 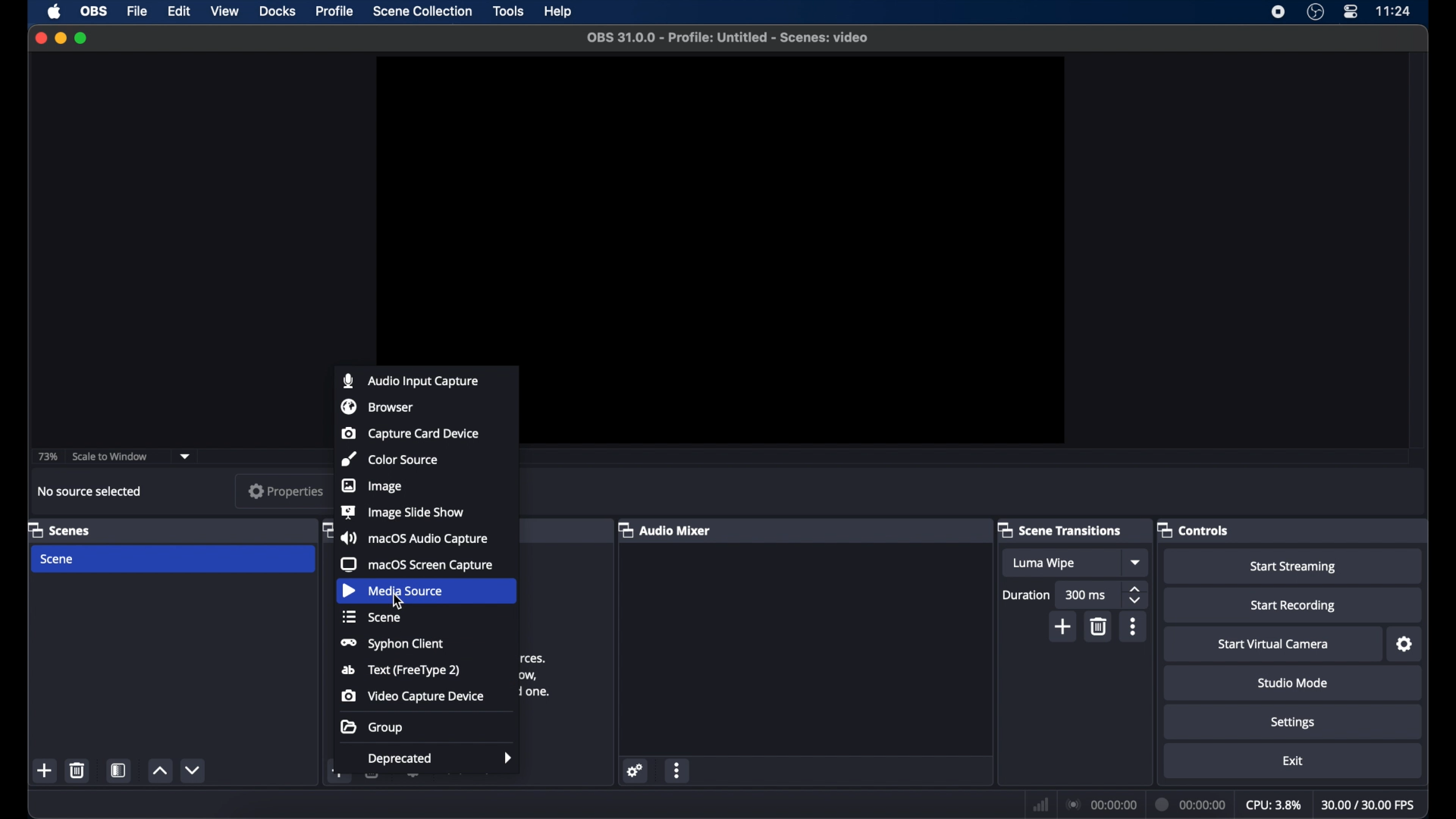 What do you see at coordinates (635, 770) in the screenshot?
I see `settings` at bounding box center [635, 770].